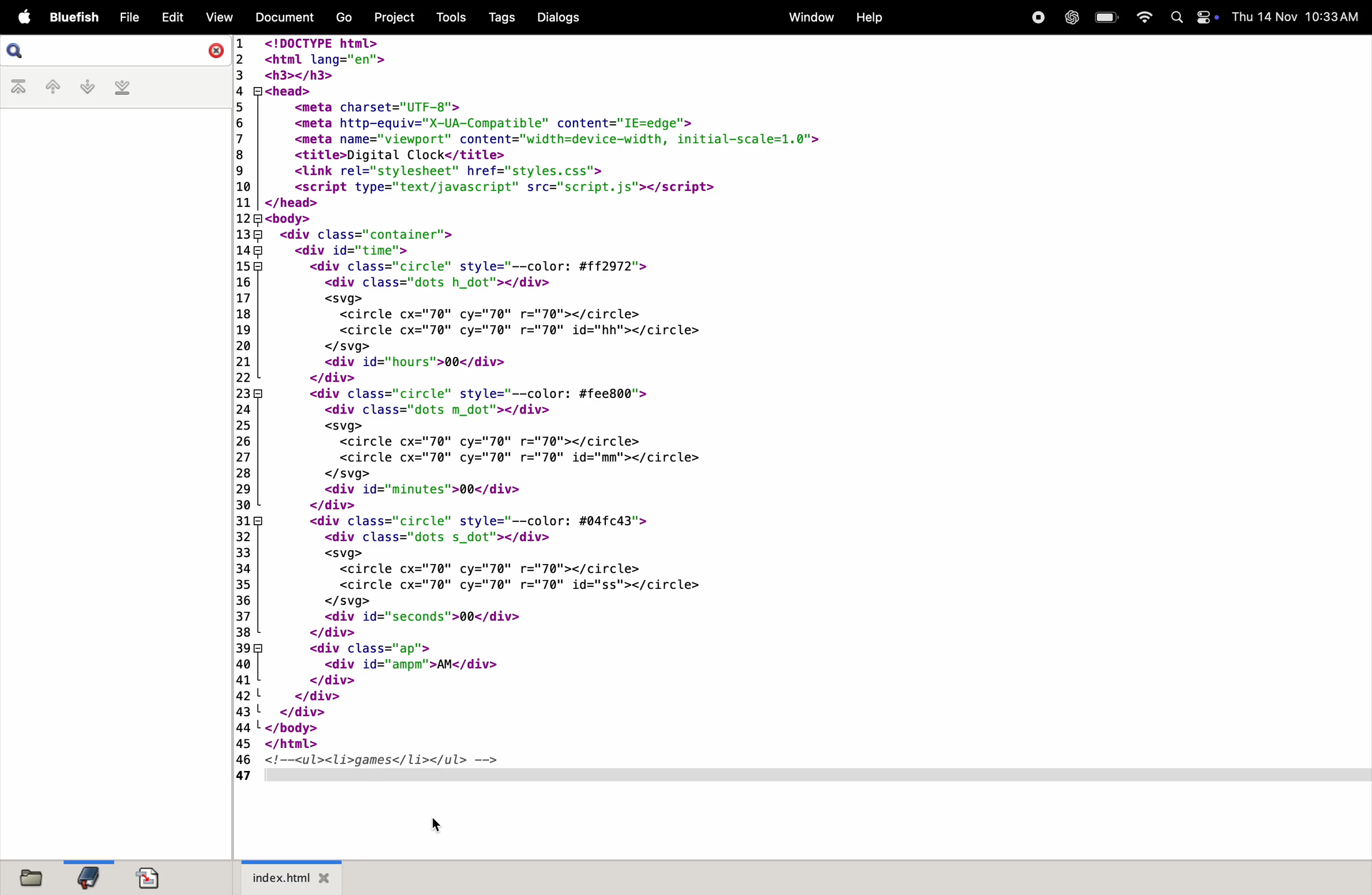 The width and height of the screenshot is (1372, 895). I want to click on Apple menu, so click(22, 16).